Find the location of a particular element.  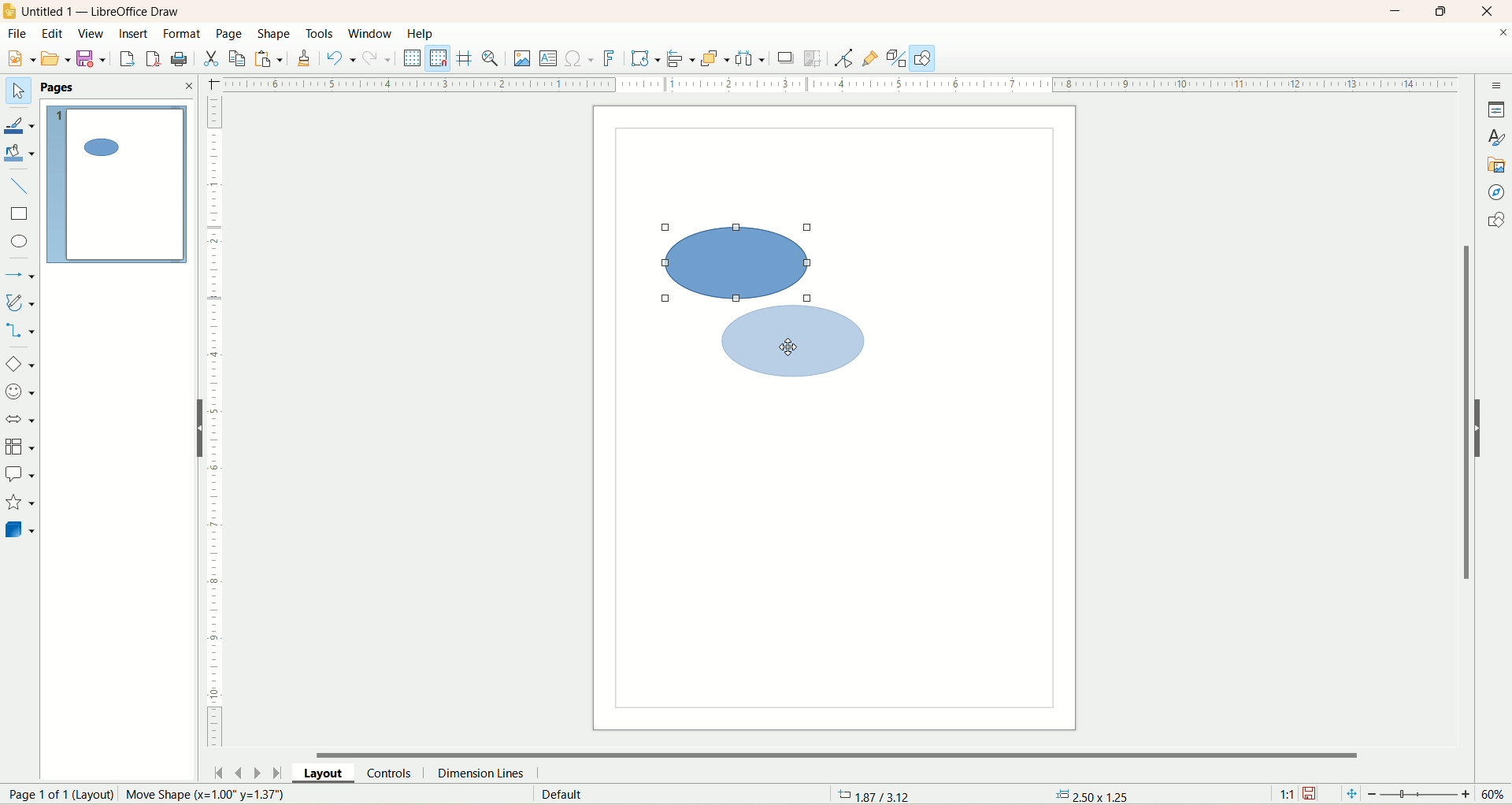

fill color is located at coordinates (20, 154).